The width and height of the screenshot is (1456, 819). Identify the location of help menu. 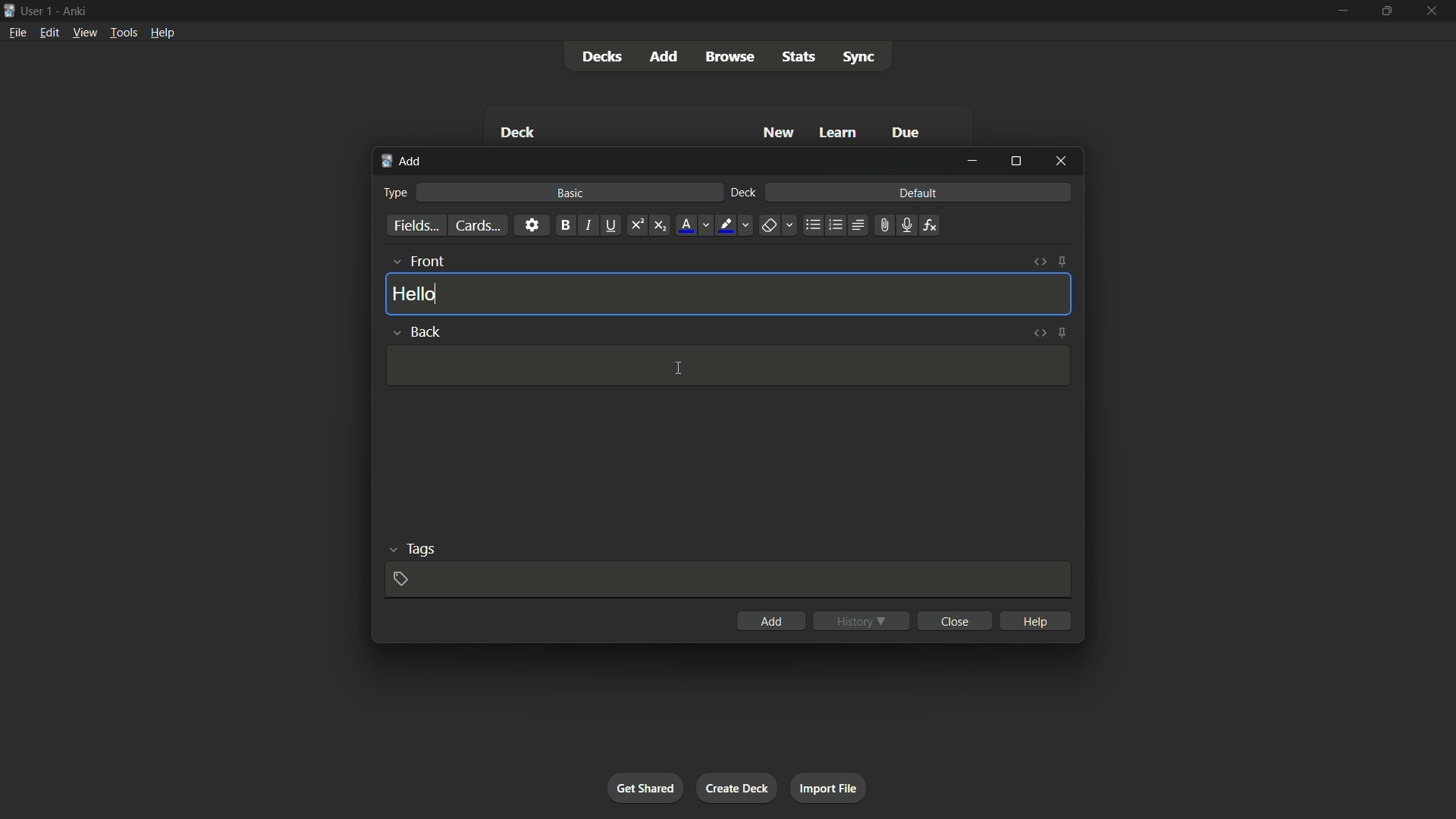
(163, 33).